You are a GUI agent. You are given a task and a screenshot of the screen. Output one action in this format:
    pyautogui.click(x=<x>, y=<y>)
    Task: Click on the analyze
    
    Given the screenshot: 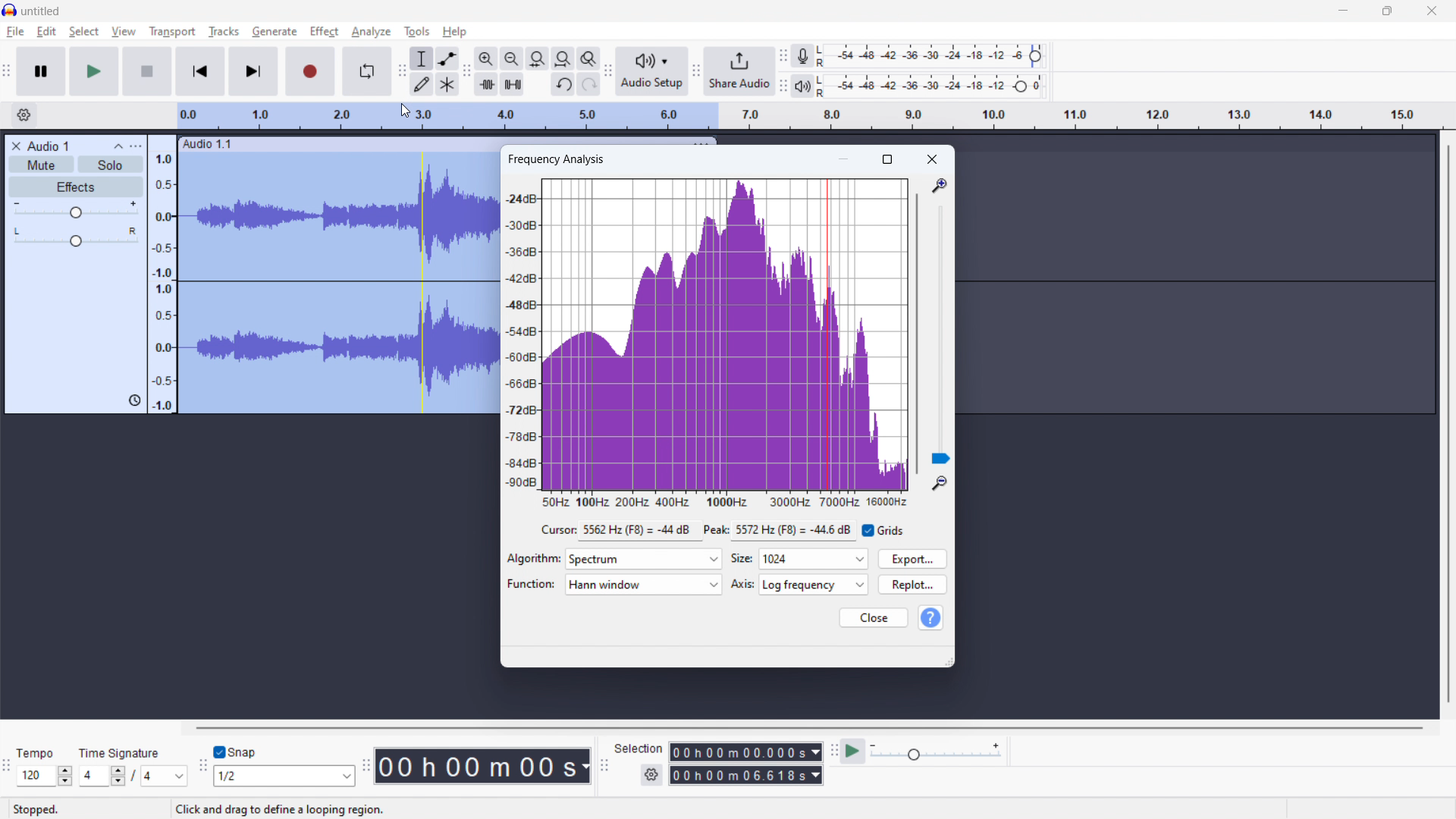 What is the action you would take?
    pyautogui.click(x=371, y=31)
    